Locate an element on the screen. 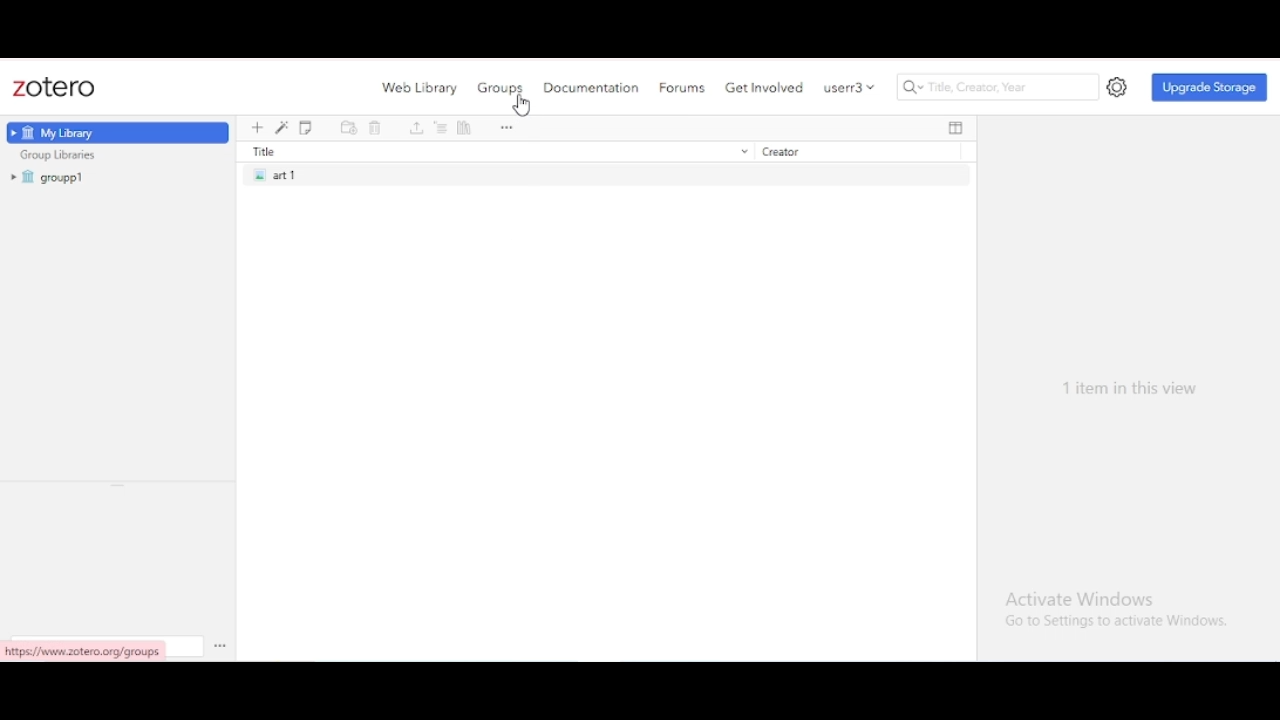 The width and height of the screenshot is (1280, 720). groupp1 is located at coordinates (50, 177).